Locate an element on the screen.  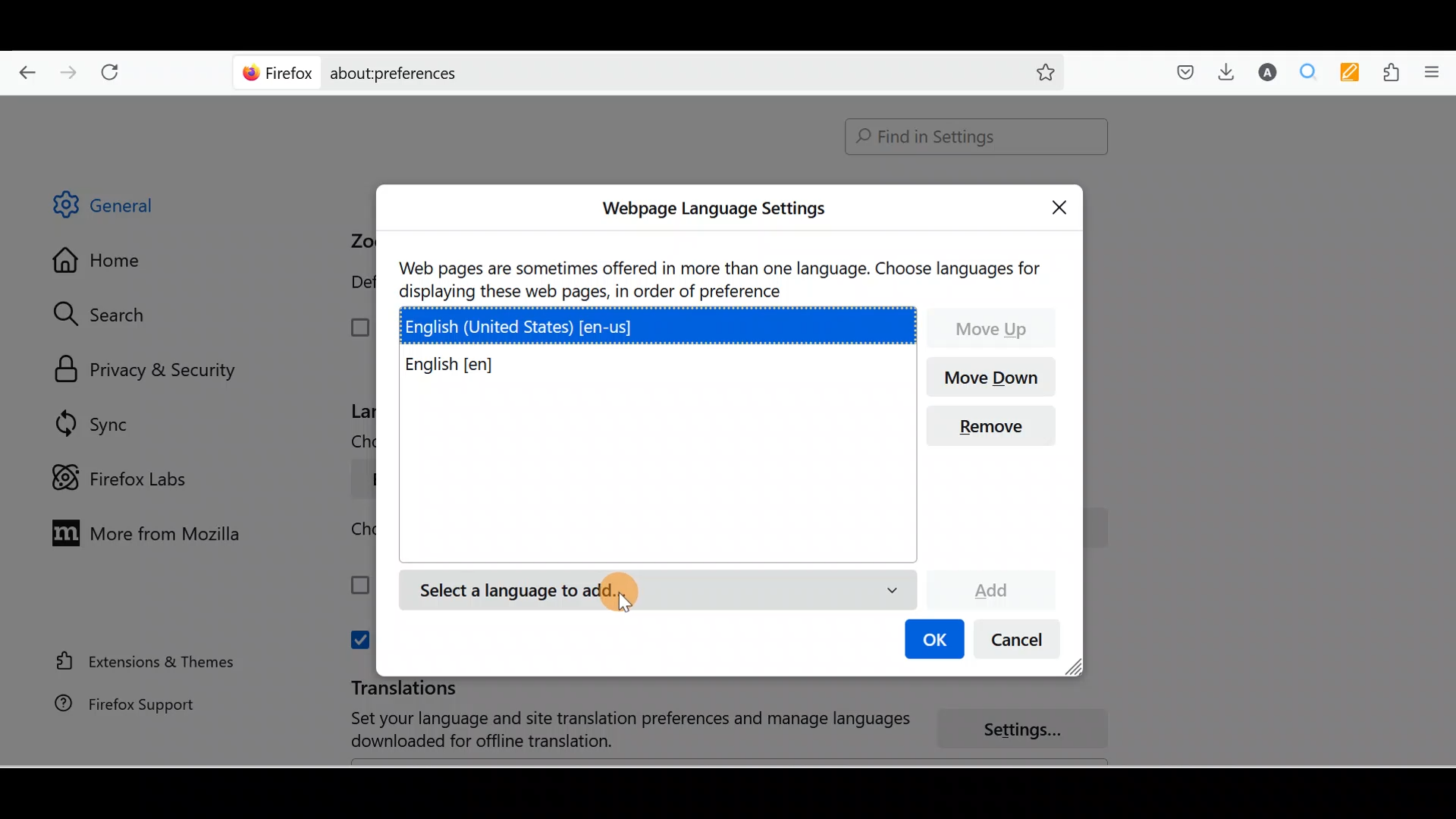
Bookmark this page is located at coordinates (1034, 71).